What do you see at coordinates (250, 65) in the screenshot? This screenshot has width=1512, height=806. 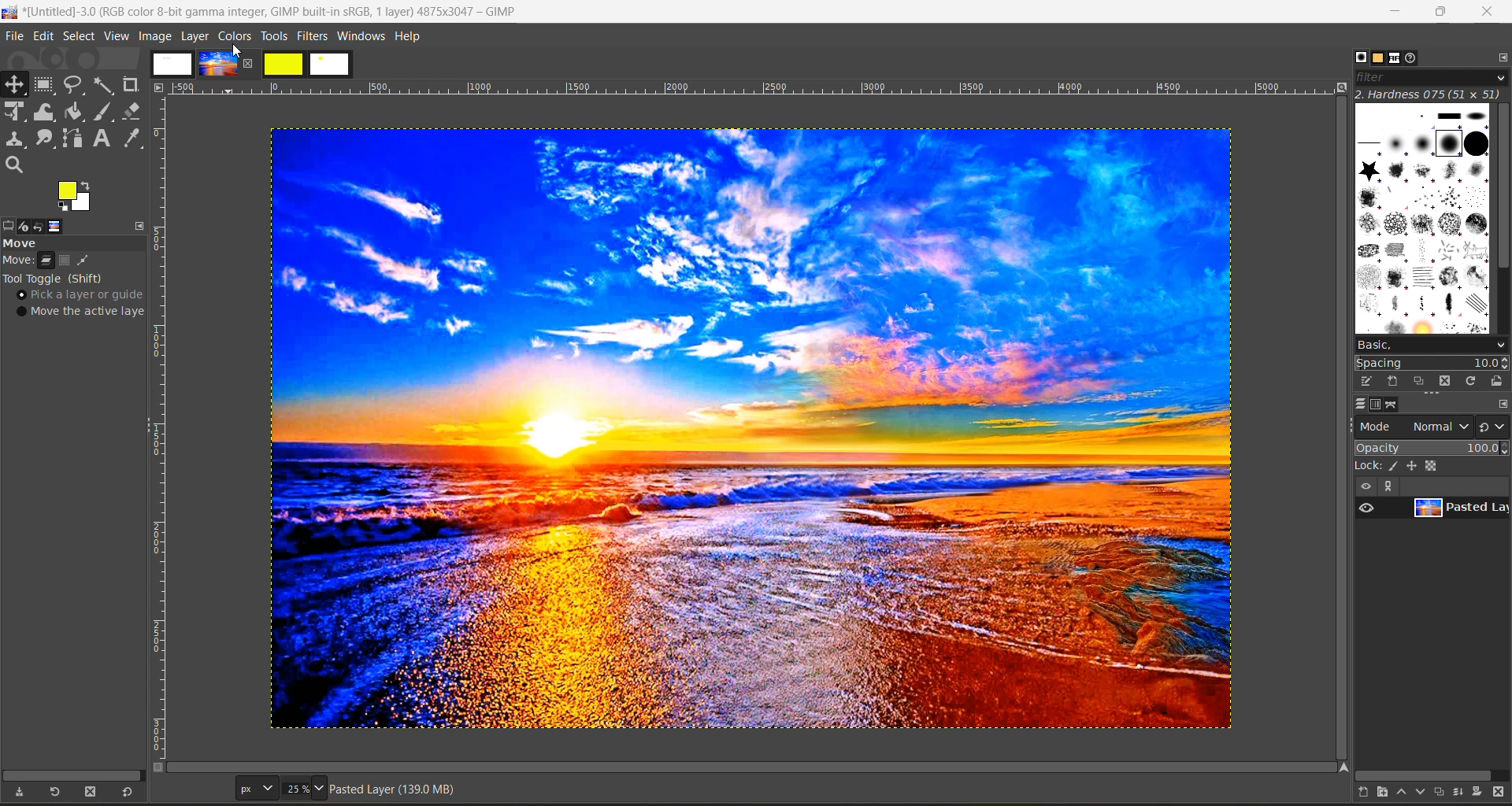 I see `images` at bounding box center [250, 65].